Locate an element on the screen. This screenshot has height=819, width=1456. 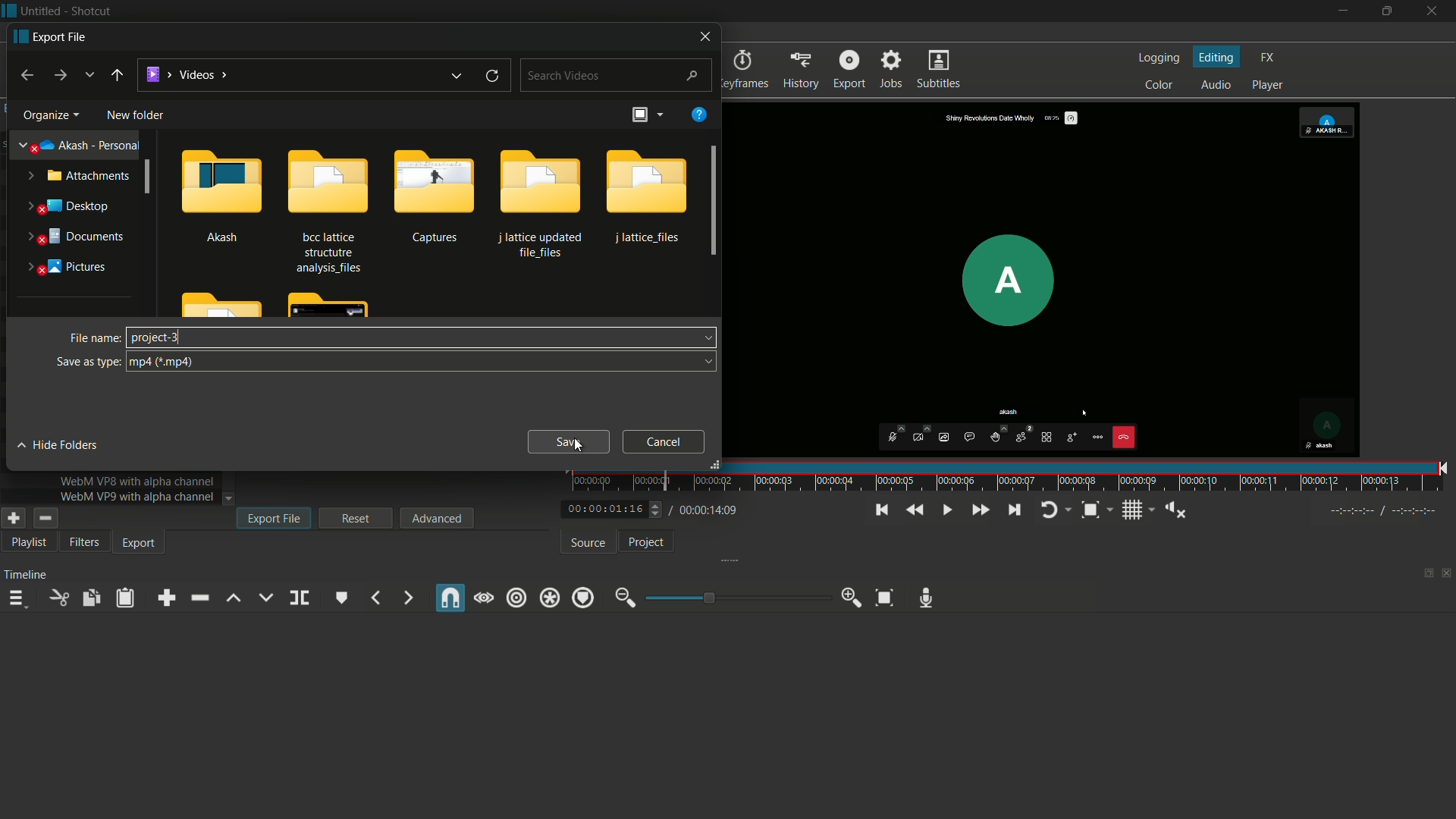
player is located at coordinates (1269, 86).